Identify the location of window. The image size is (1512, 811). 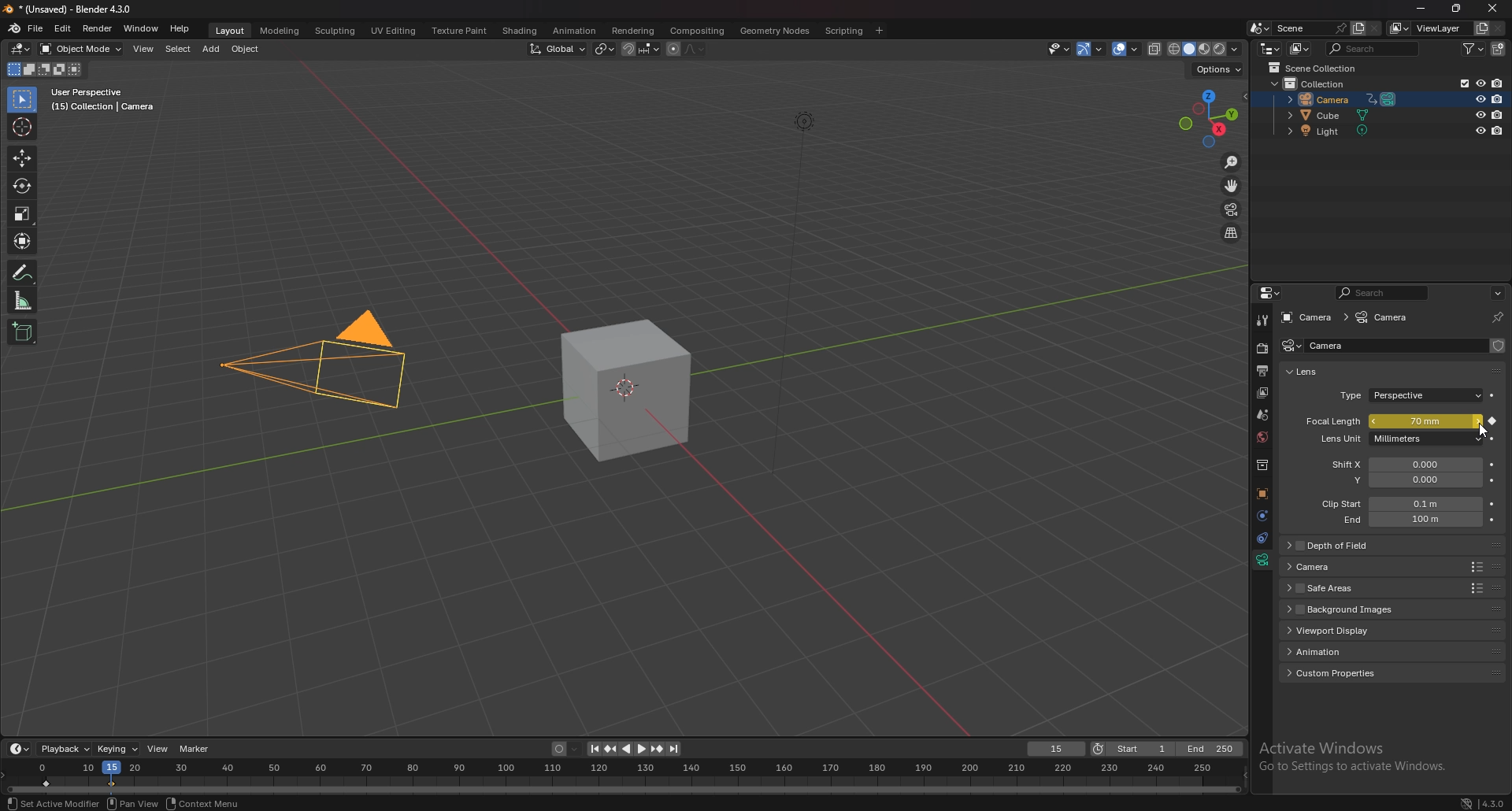
(143, 29).